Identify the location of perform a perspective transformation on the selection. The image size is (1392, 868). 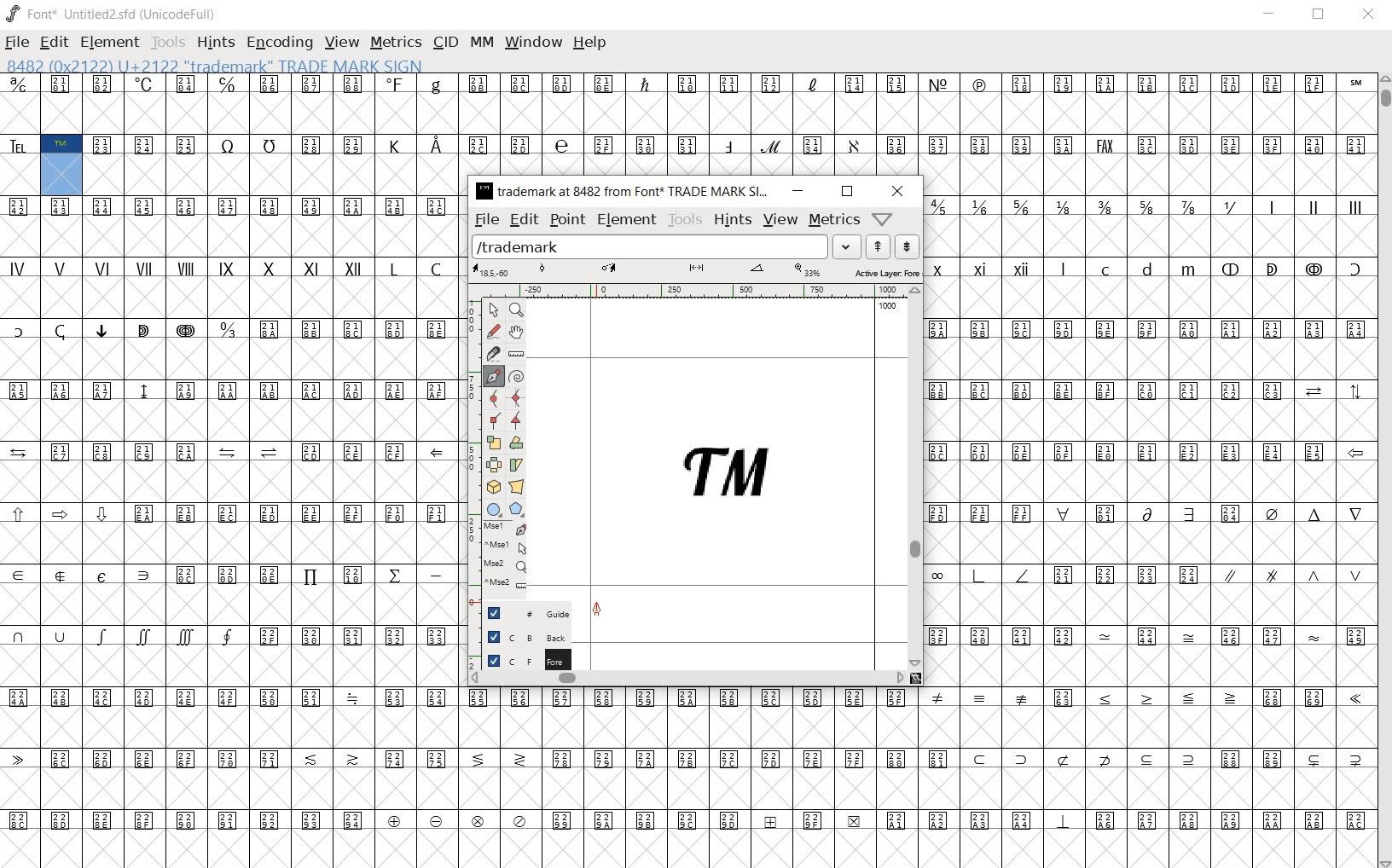
(515, 485).